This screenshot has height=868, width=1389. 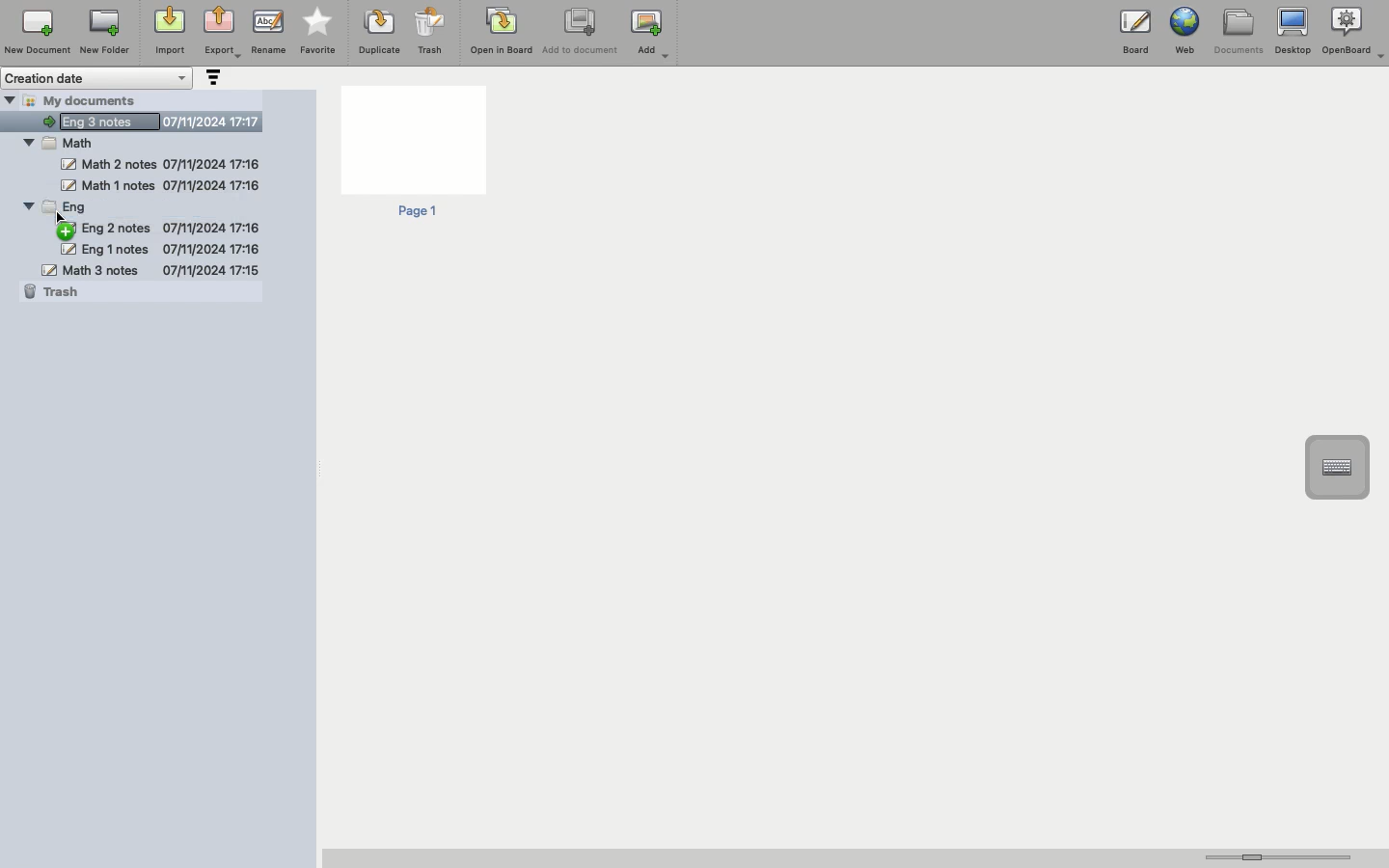 I want to click on Duplicate, so click(x=377, y=32).